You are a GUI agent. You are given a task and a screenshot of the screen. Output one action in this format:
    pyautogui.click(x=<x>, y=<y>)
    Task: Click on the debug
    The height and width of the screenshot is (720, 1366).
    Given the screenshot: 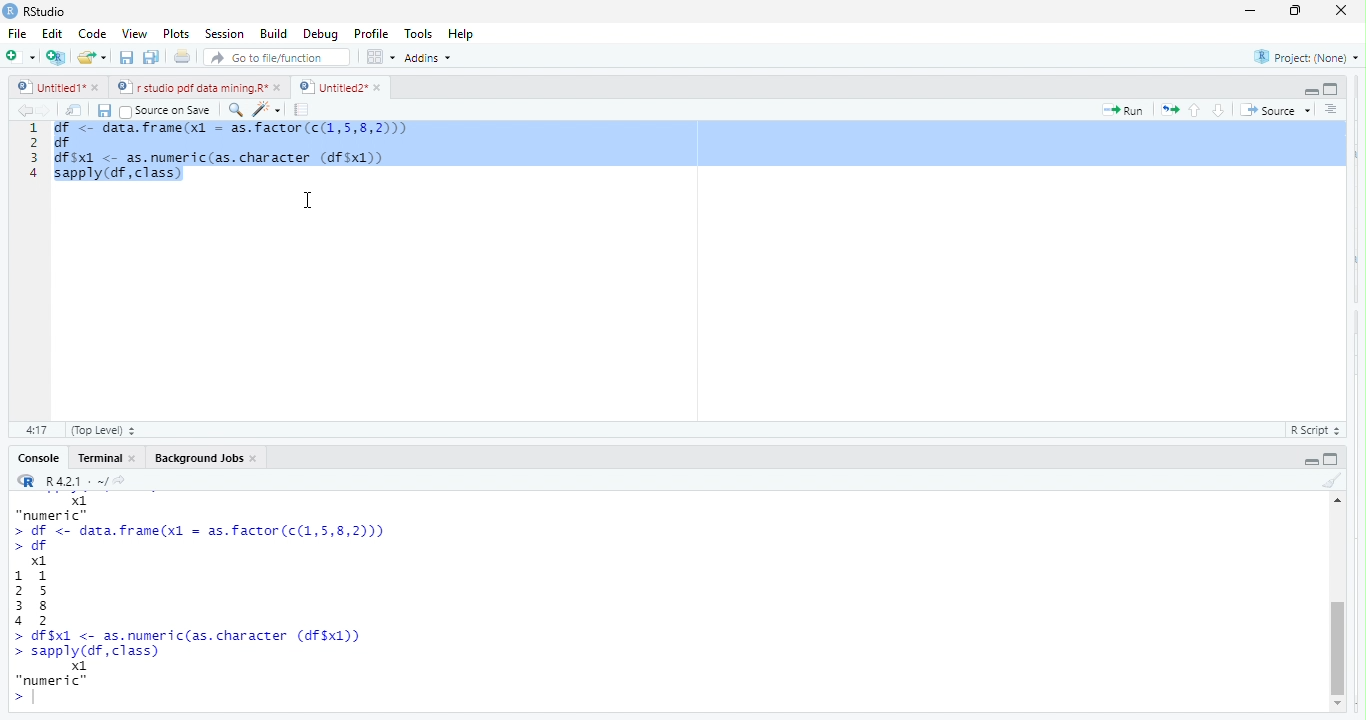 What is the action you would take?
    pyautogui.click(x=322, y=34)
    